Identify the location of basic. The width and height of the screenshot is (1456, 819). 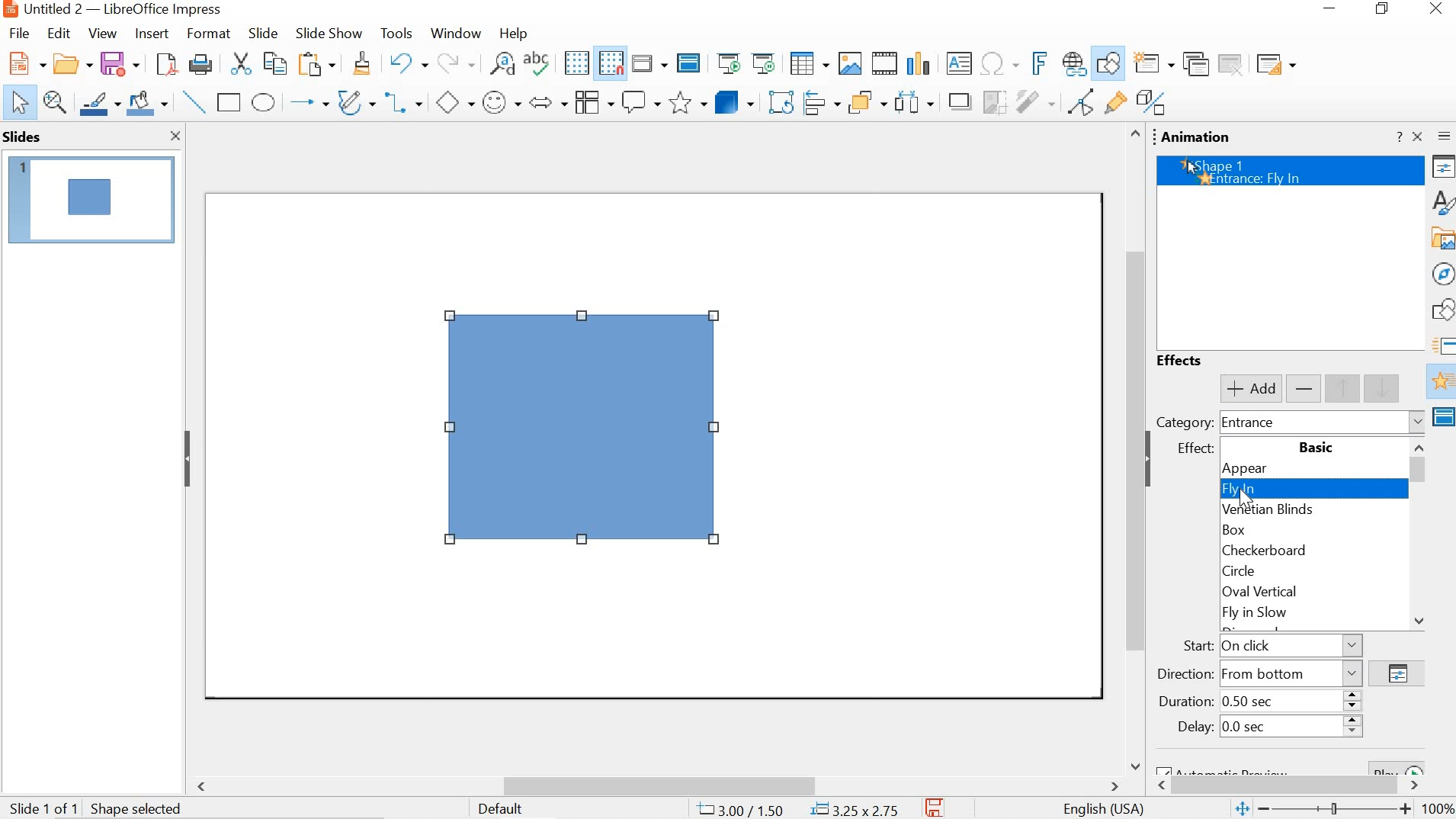
(1315, 448).